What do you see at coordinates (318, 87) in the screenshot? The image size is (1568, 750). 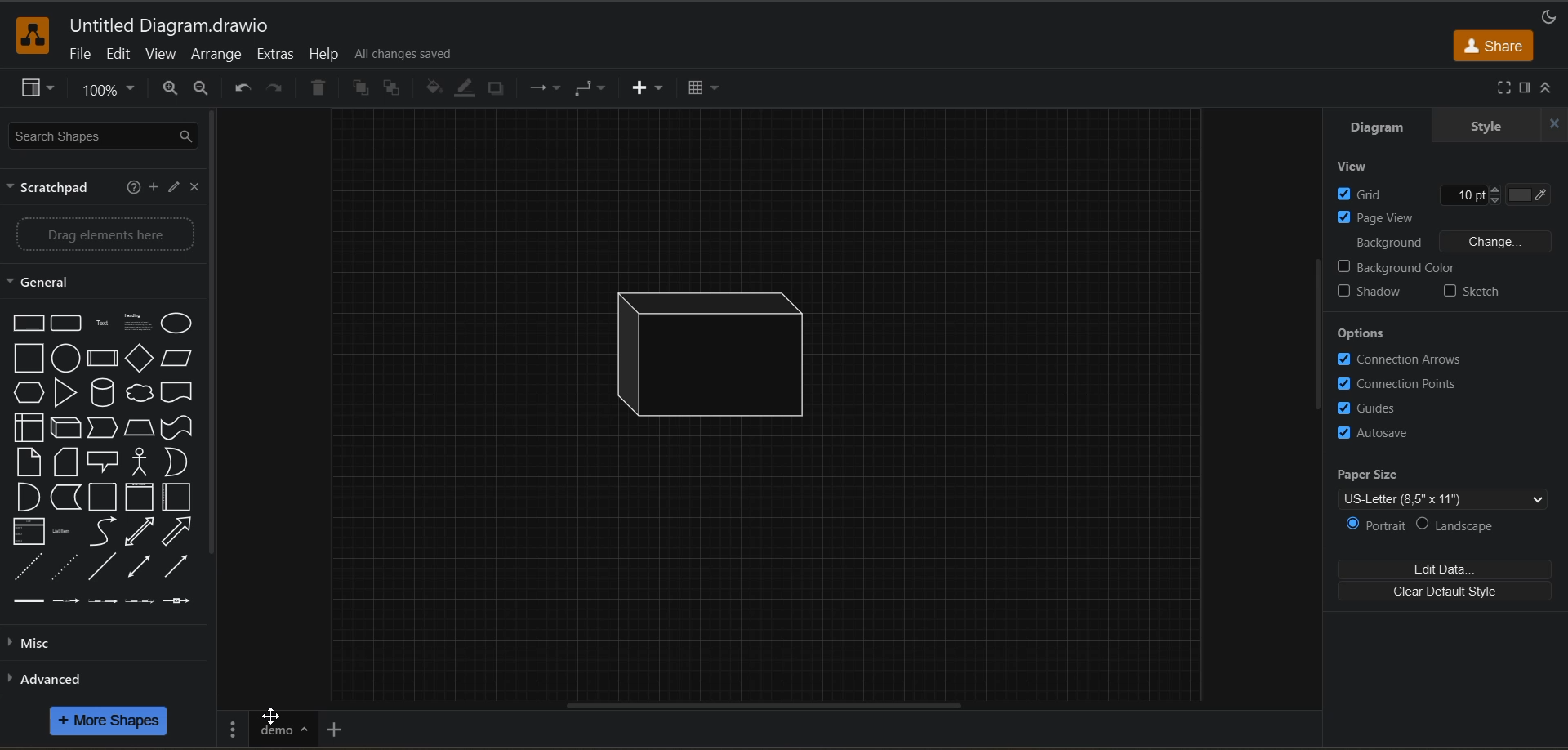 I see `delete` at bounding box center [318, 87].